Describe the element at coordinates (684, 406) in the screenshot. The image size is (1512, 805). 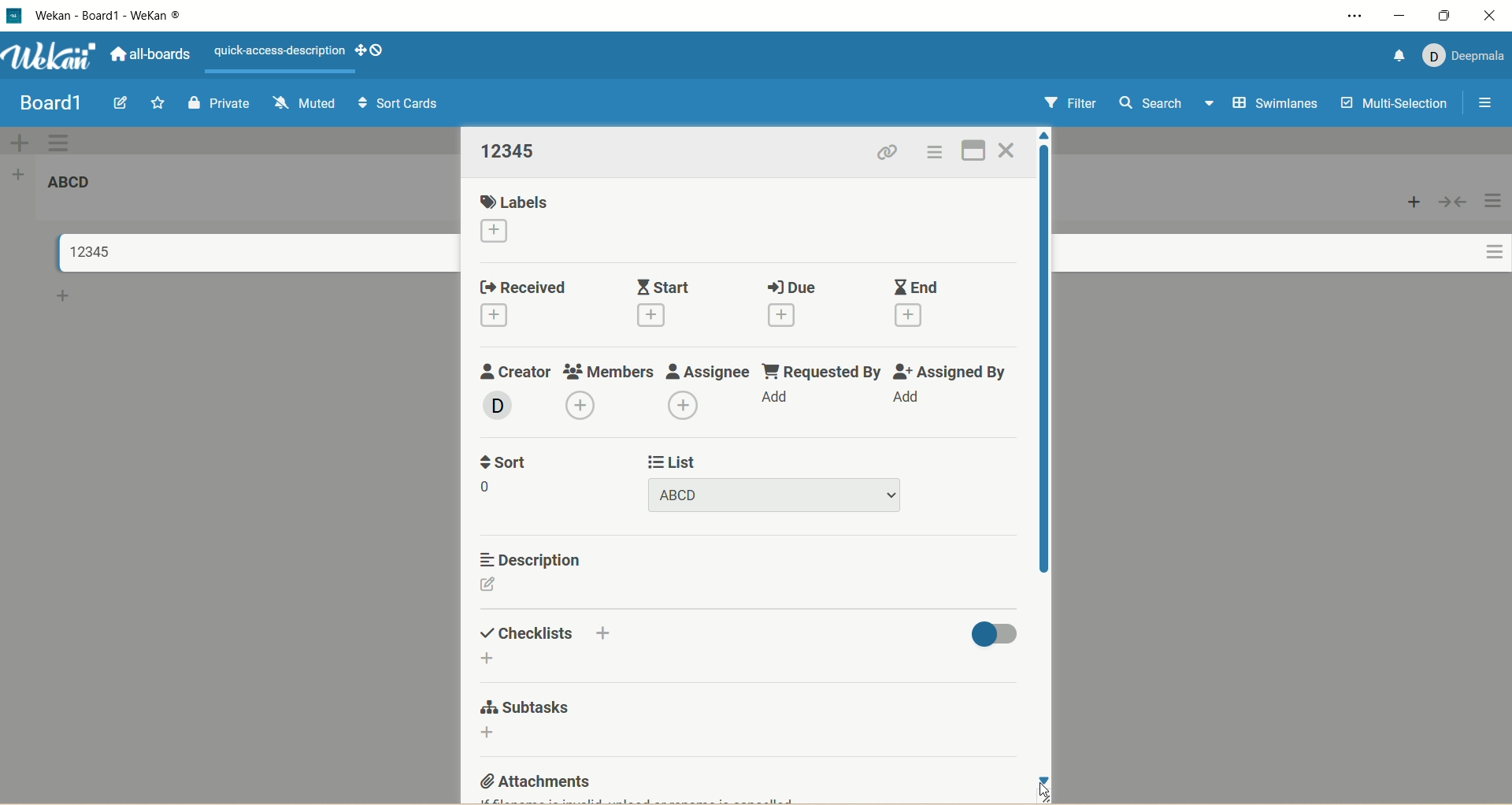
I see `add` at that location.